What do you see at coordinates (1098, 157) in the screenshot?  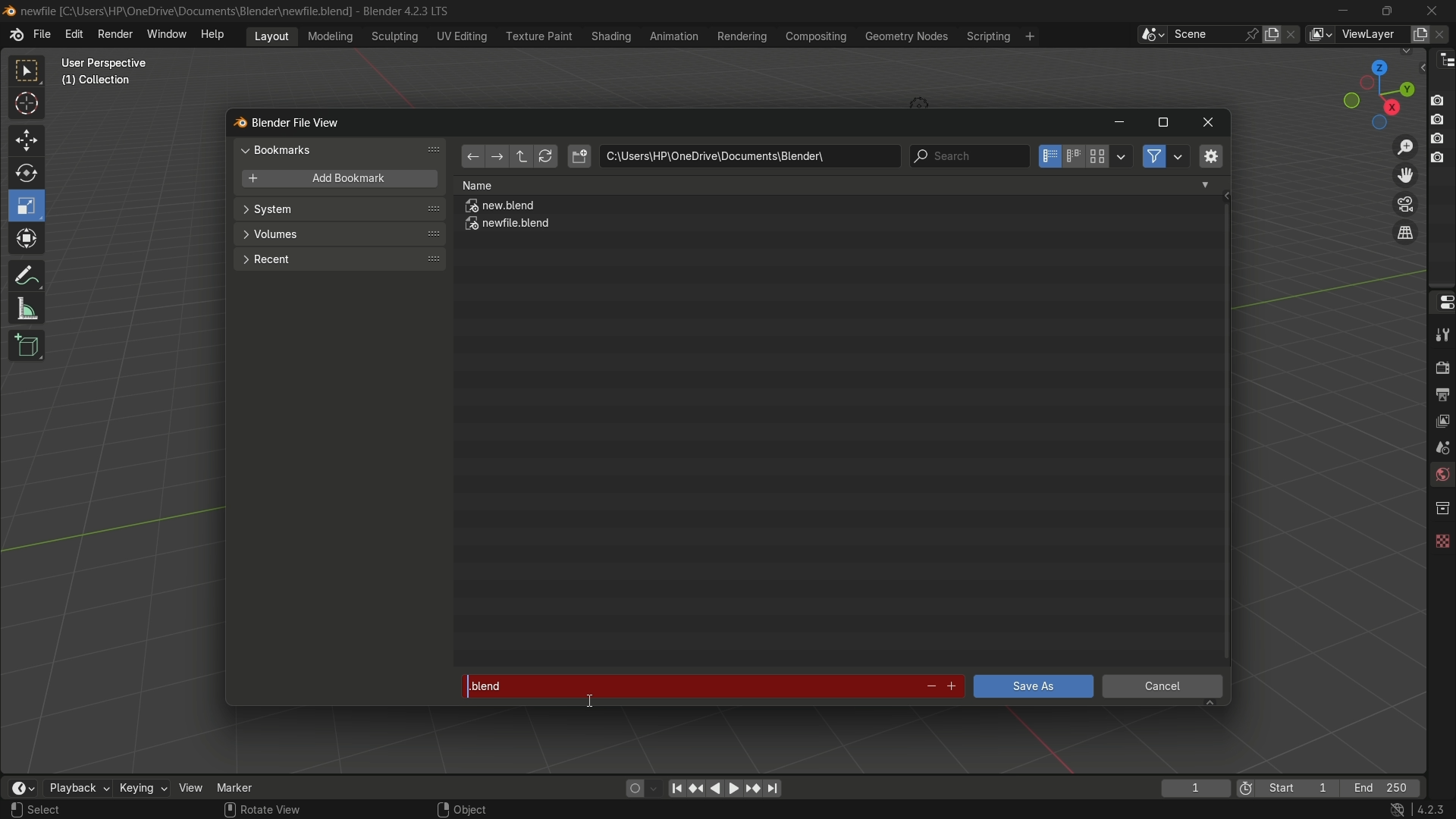 I see `thumbnails display` at bounding box center [1098, 157].